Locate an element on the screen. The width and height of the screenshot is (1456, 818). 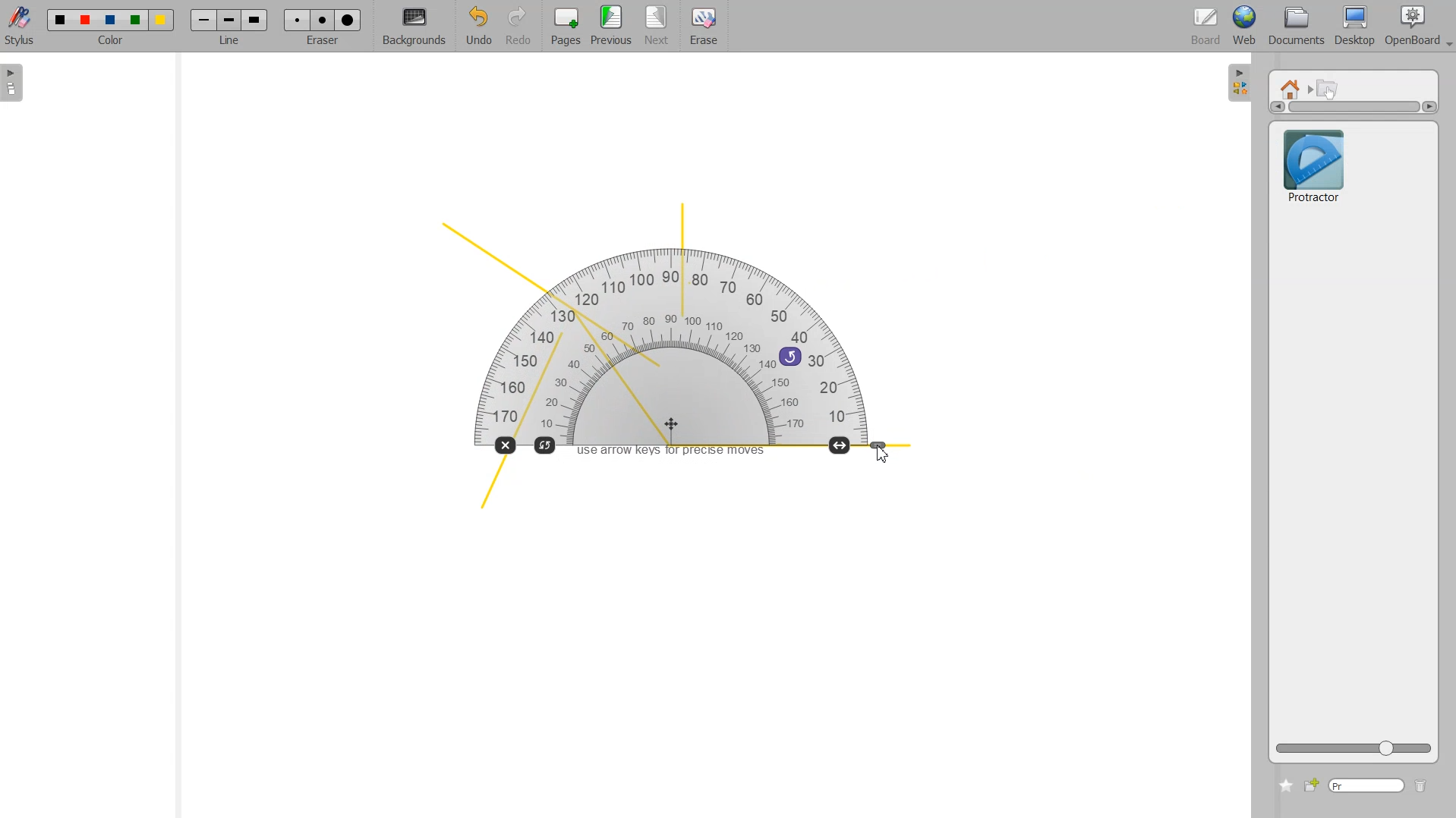
Erase is located at coordinates (322, 20).